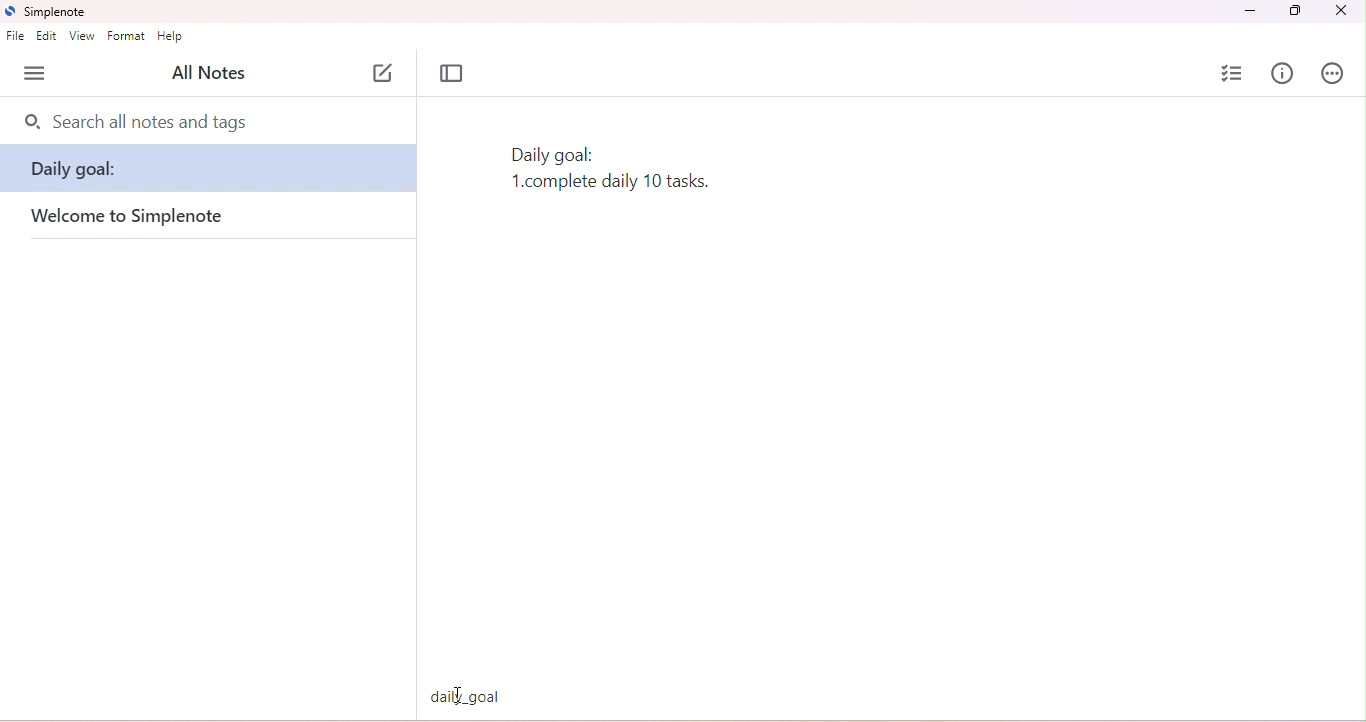 The image size is (1366, 722). What do you see at coordinates (49, 12) in the screenshot?
I see `simplenote` at bounding box center [49, 12].